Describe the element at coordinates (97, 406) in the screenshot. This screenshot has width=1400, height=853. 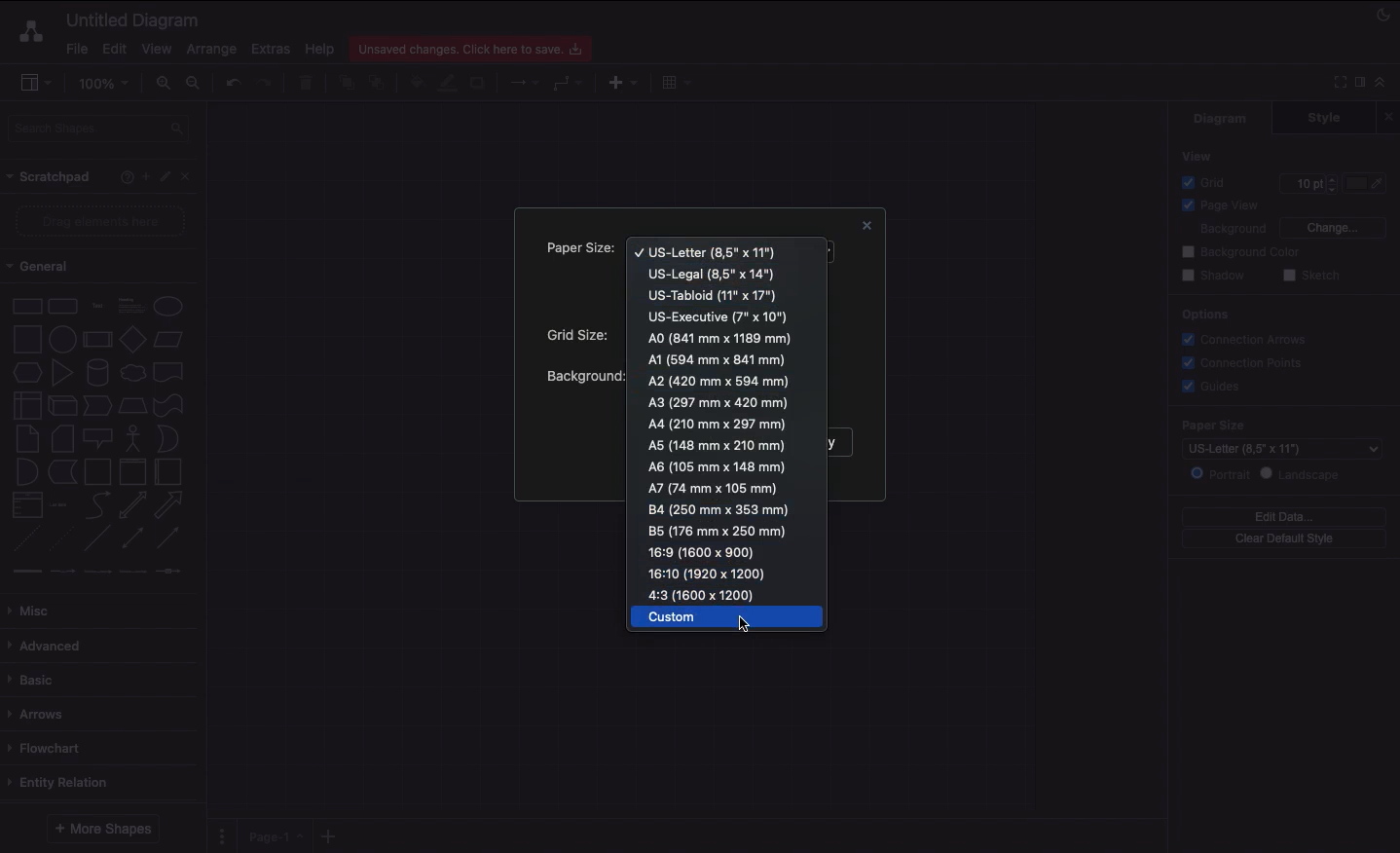
I see `Step` at that location.